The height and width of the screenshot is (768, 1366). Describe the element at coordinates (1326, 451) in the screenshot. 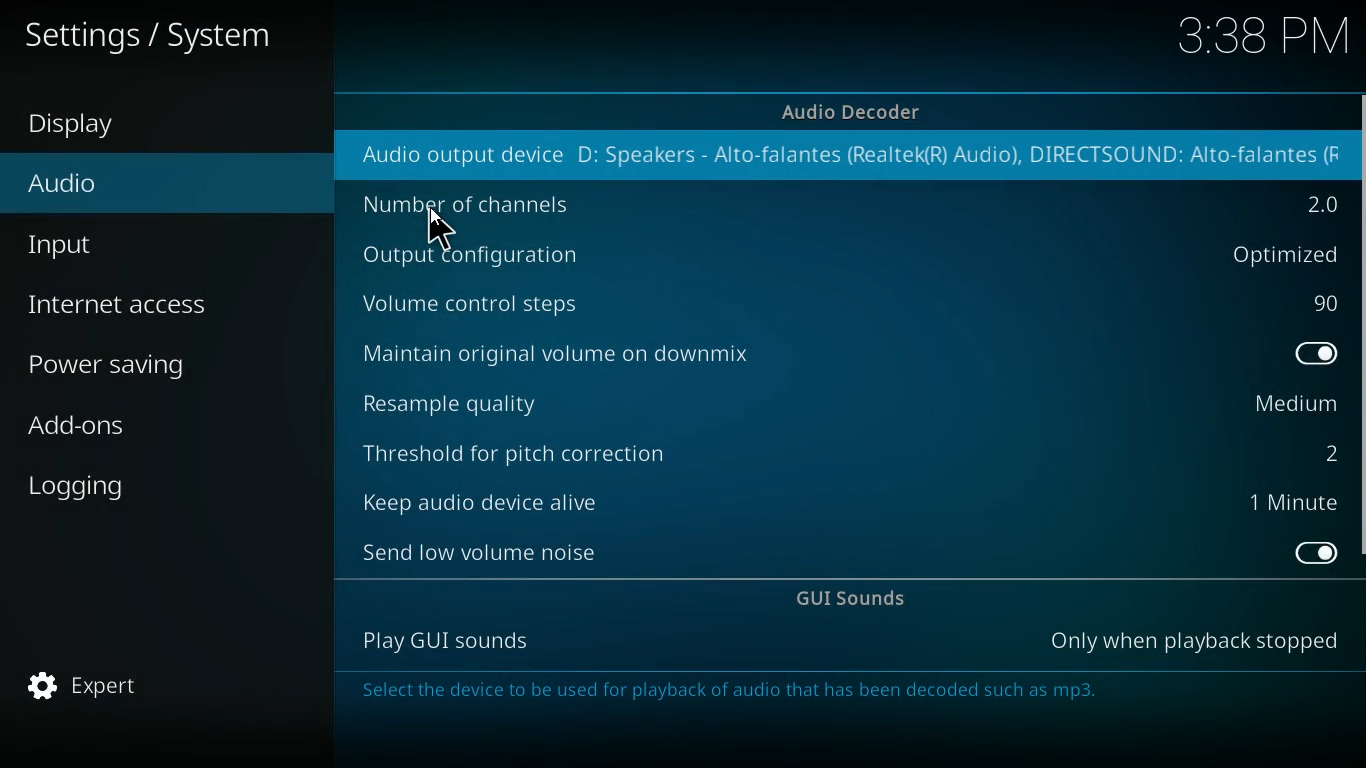

I see `option` at that location.